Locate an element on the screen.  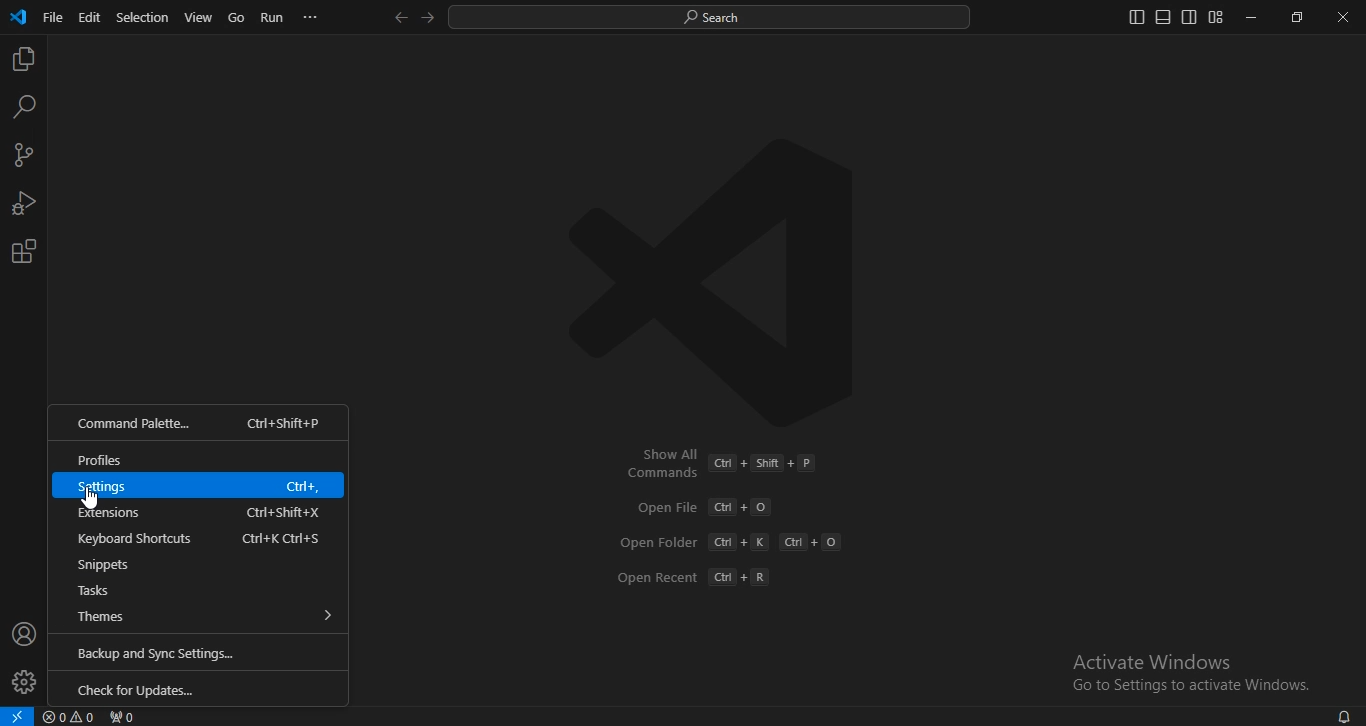
go forward is located at coordinates (427, 16).